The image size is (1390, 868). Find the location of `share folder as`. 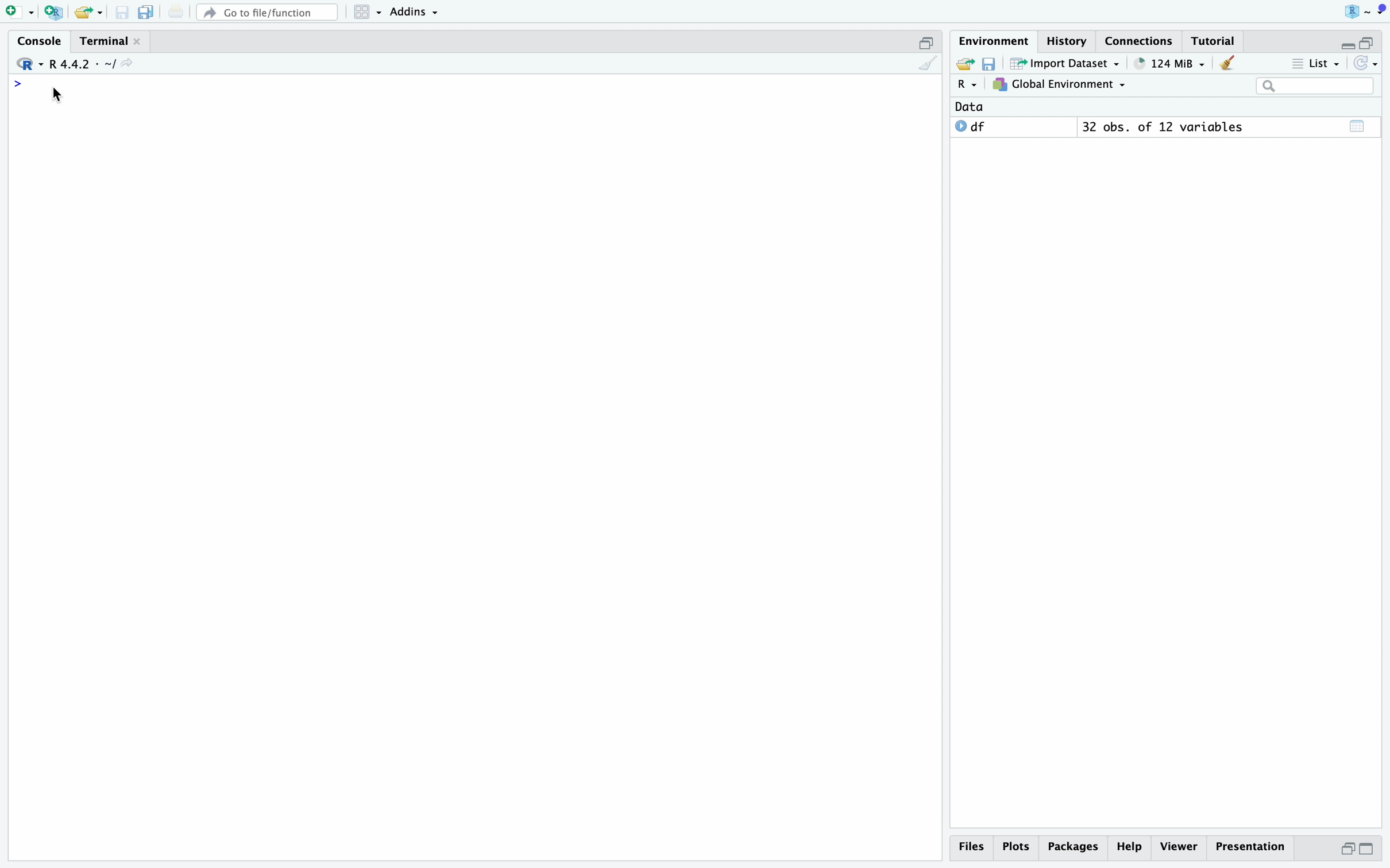

share folder as is located at coordinates (89, 13).